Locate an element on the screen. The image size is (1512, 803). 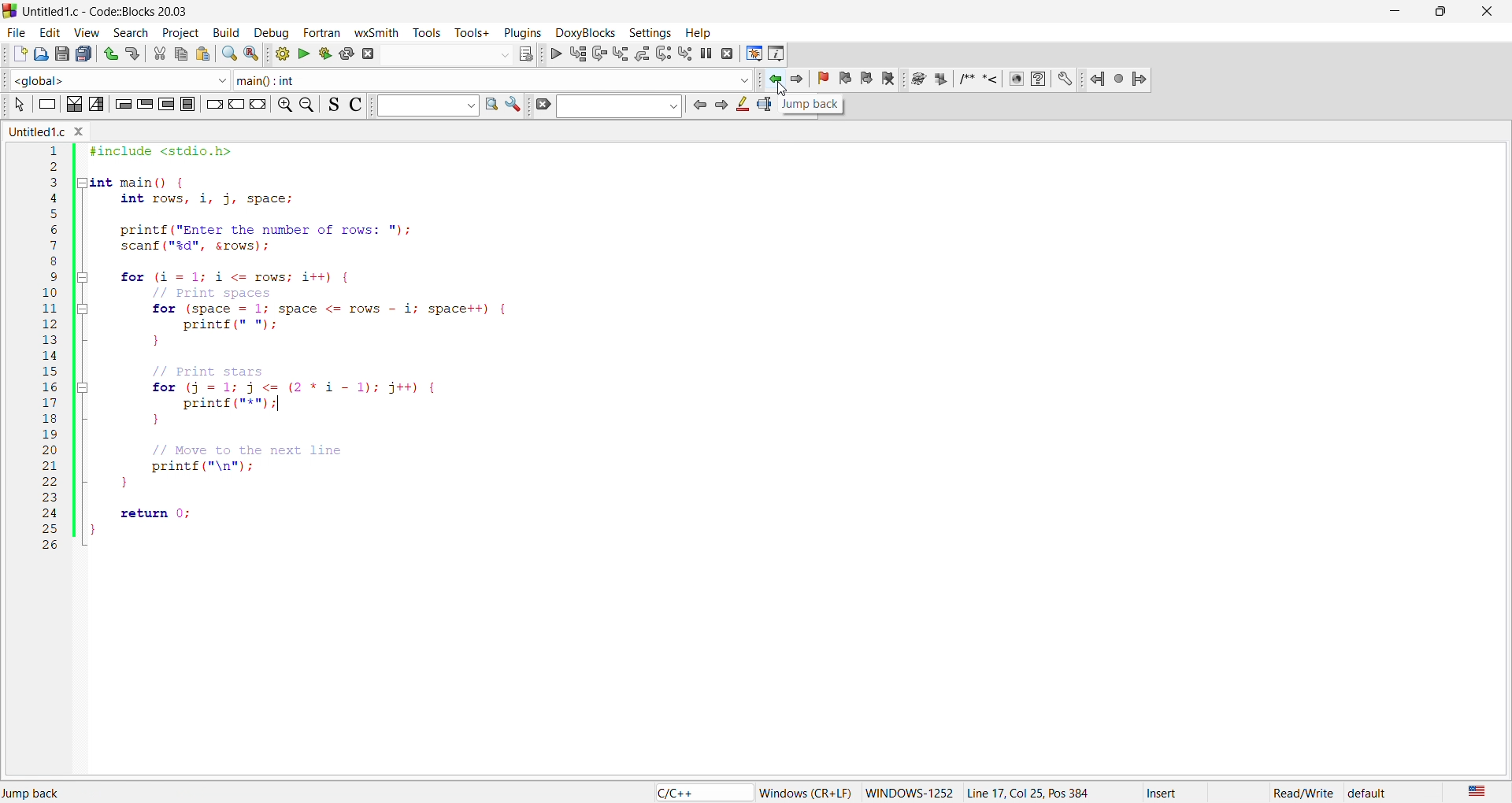
us english is located at coordinates (1468, 790).